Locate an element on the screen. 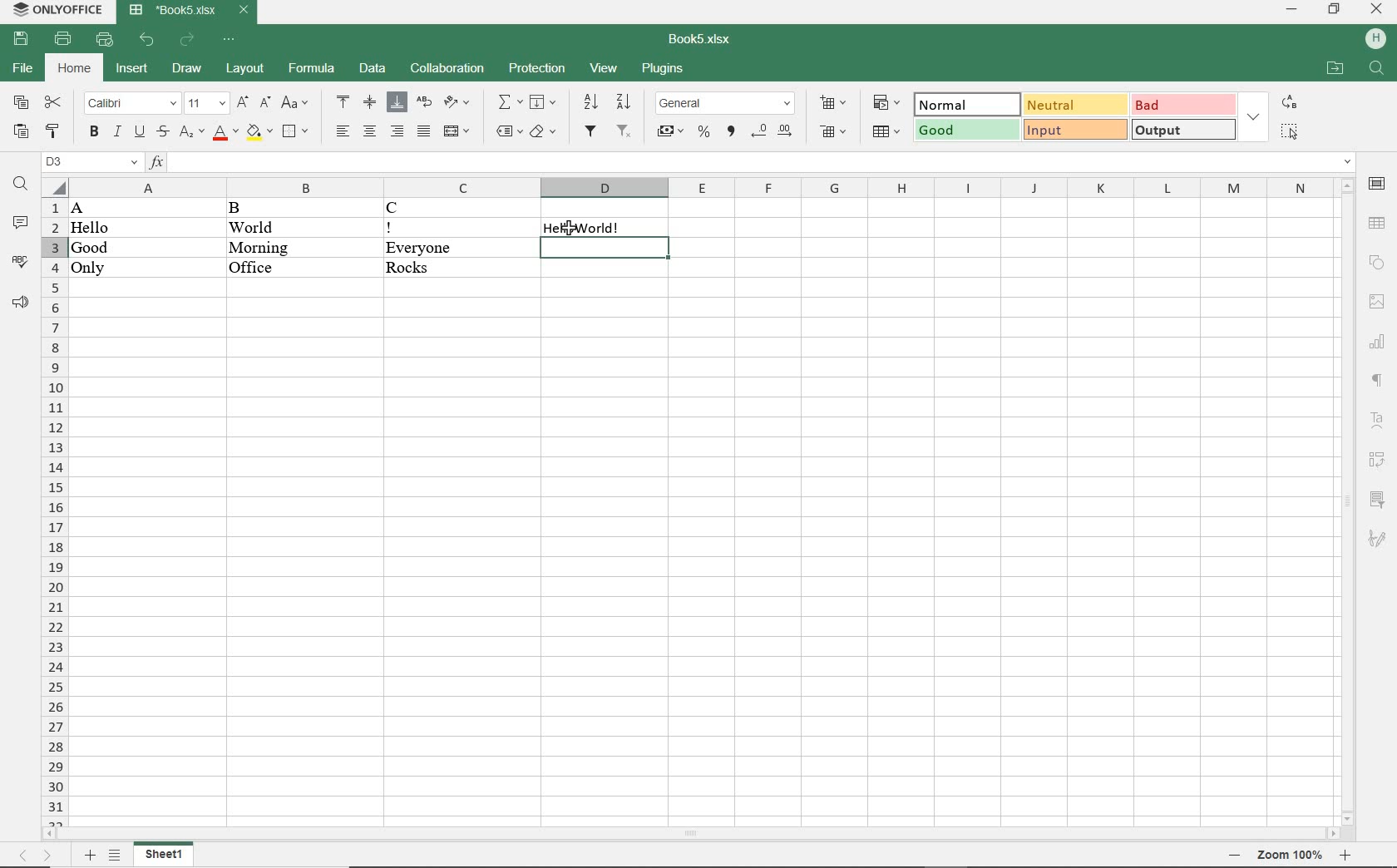  COPY STYLE is located at coordinates (54, 128).